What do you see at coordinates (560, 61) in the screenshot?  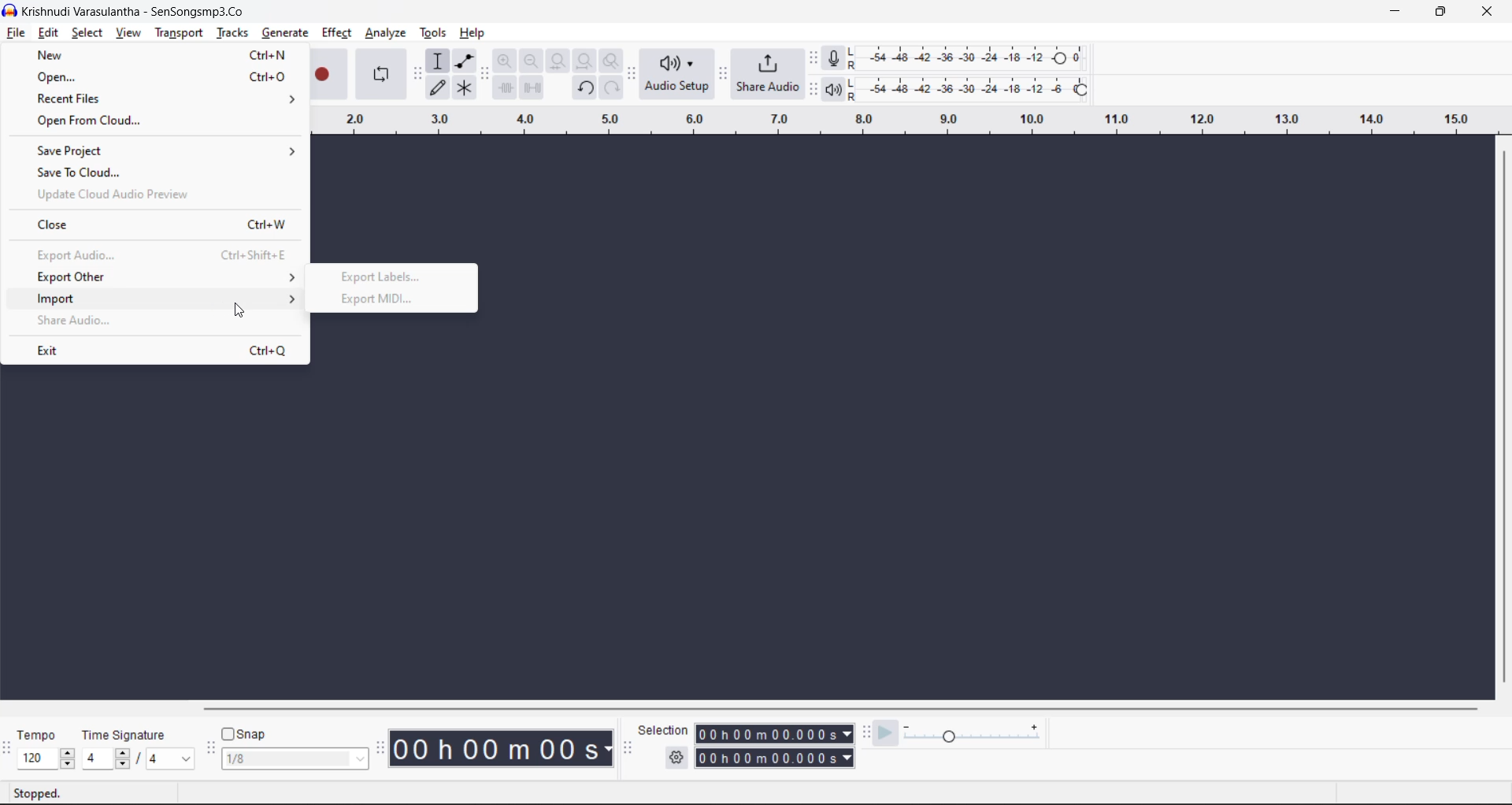 I see `fit selection to width` at bounding box center [560, 61].